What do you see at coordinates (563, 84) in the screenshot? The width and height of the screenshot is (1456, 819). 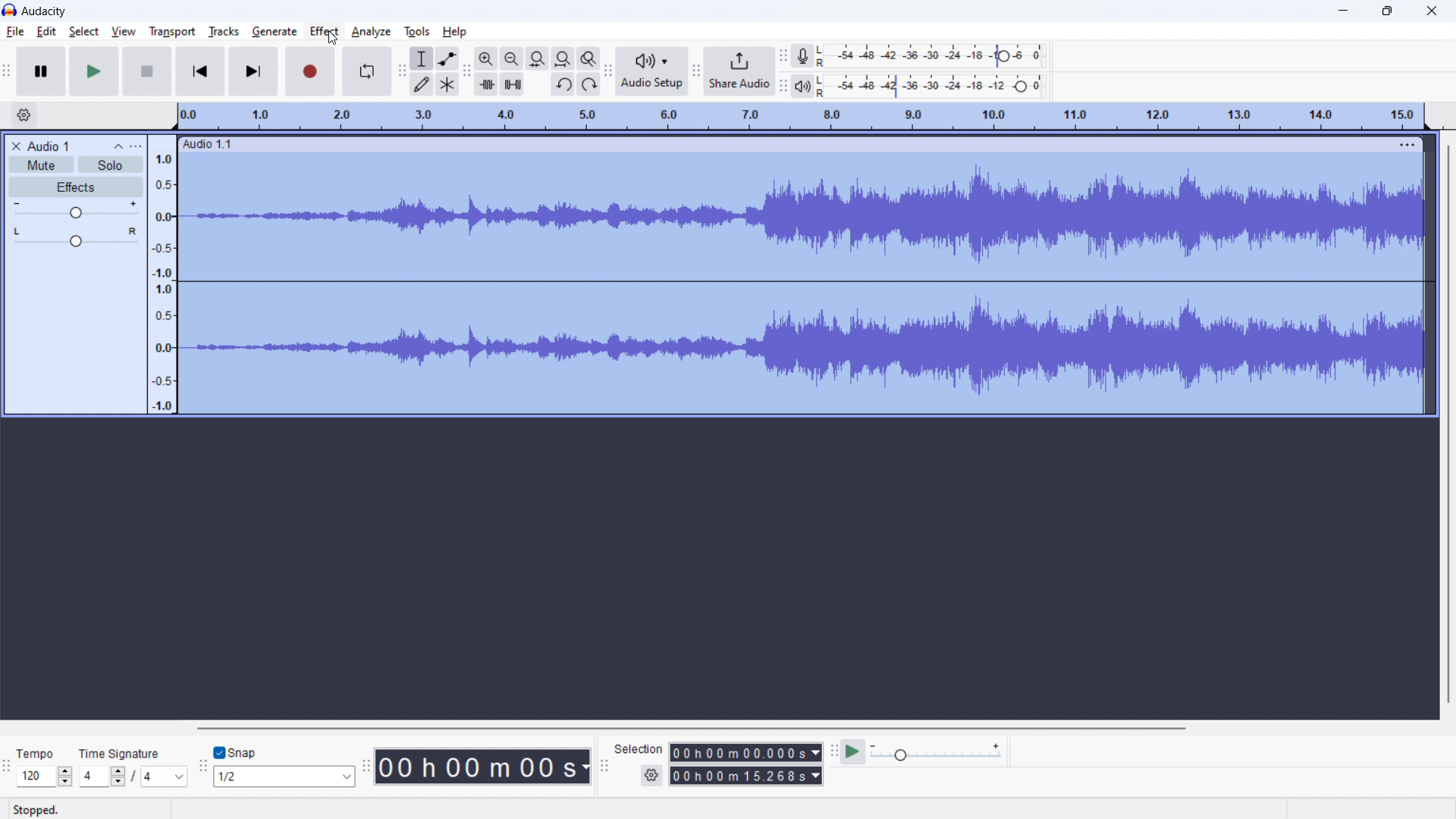 I see `undo` at bounding box center [563, 84].